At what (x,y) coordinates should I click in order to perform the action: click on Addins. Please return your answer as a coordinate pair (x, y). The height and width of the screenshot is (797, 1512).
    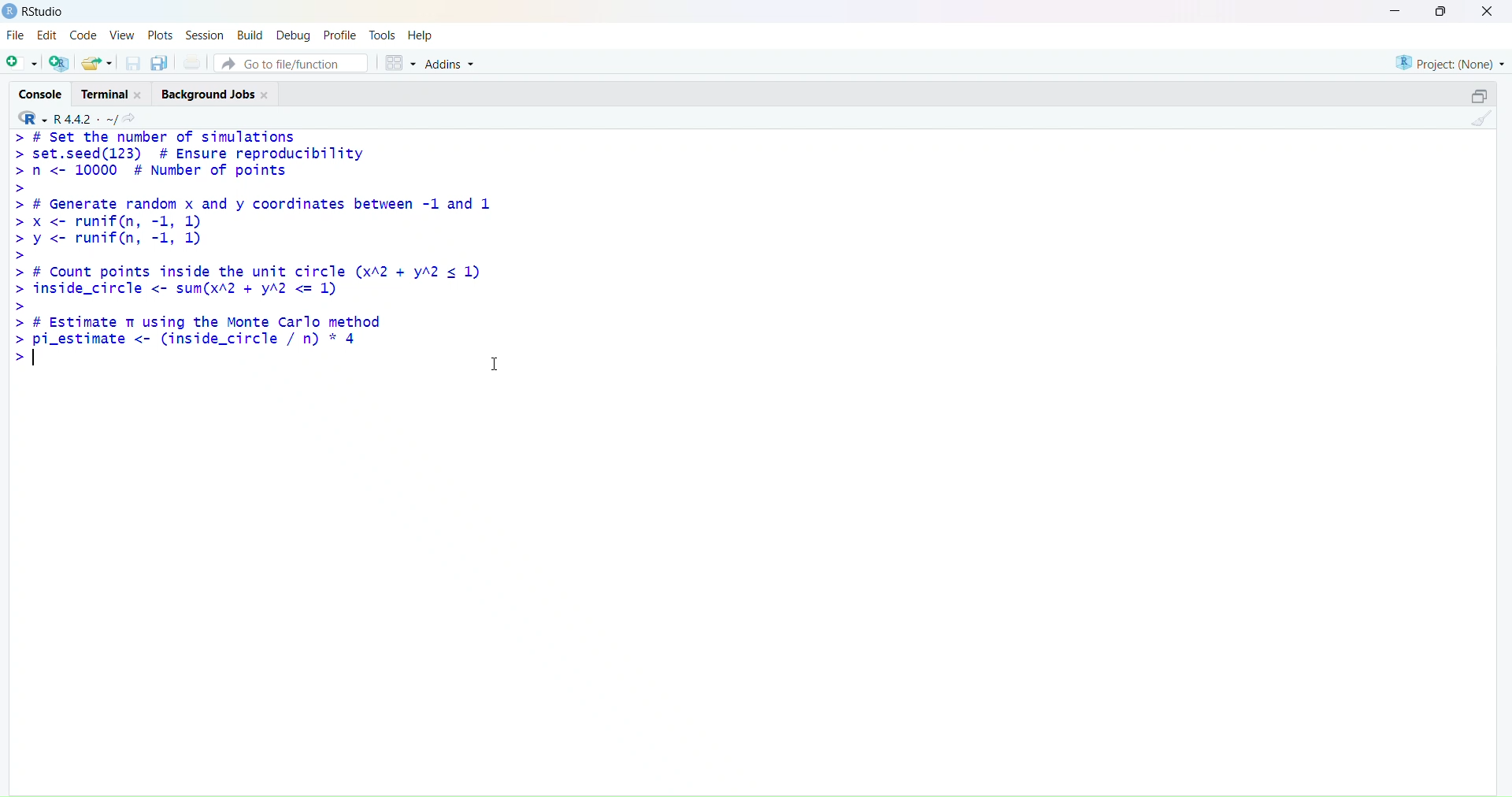
    Looking at the image, I should click on (452, 61).